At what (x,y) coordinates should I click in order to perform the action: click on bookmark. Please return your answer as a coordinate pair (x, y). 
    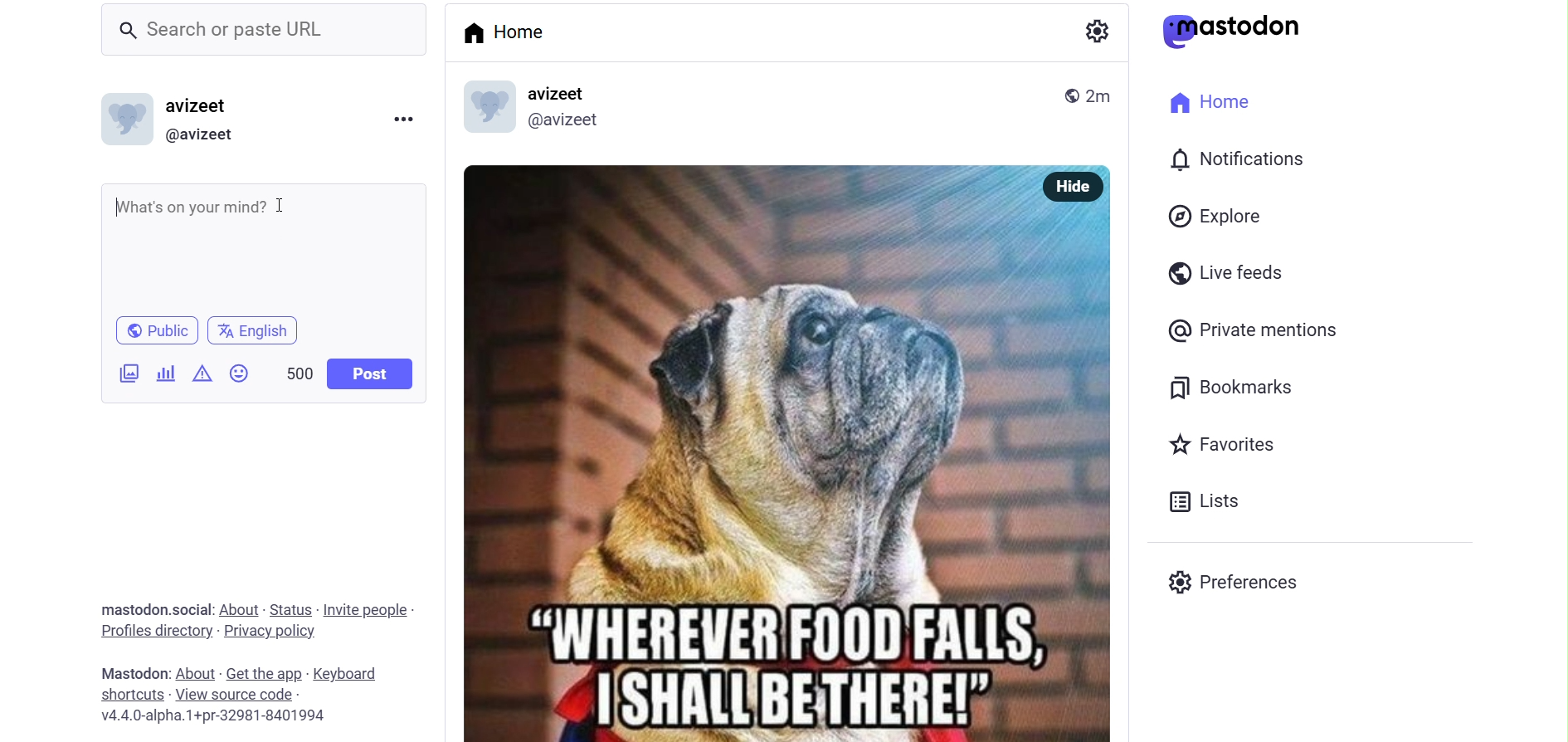
    Looking at the image, I should click on (1220, 387).